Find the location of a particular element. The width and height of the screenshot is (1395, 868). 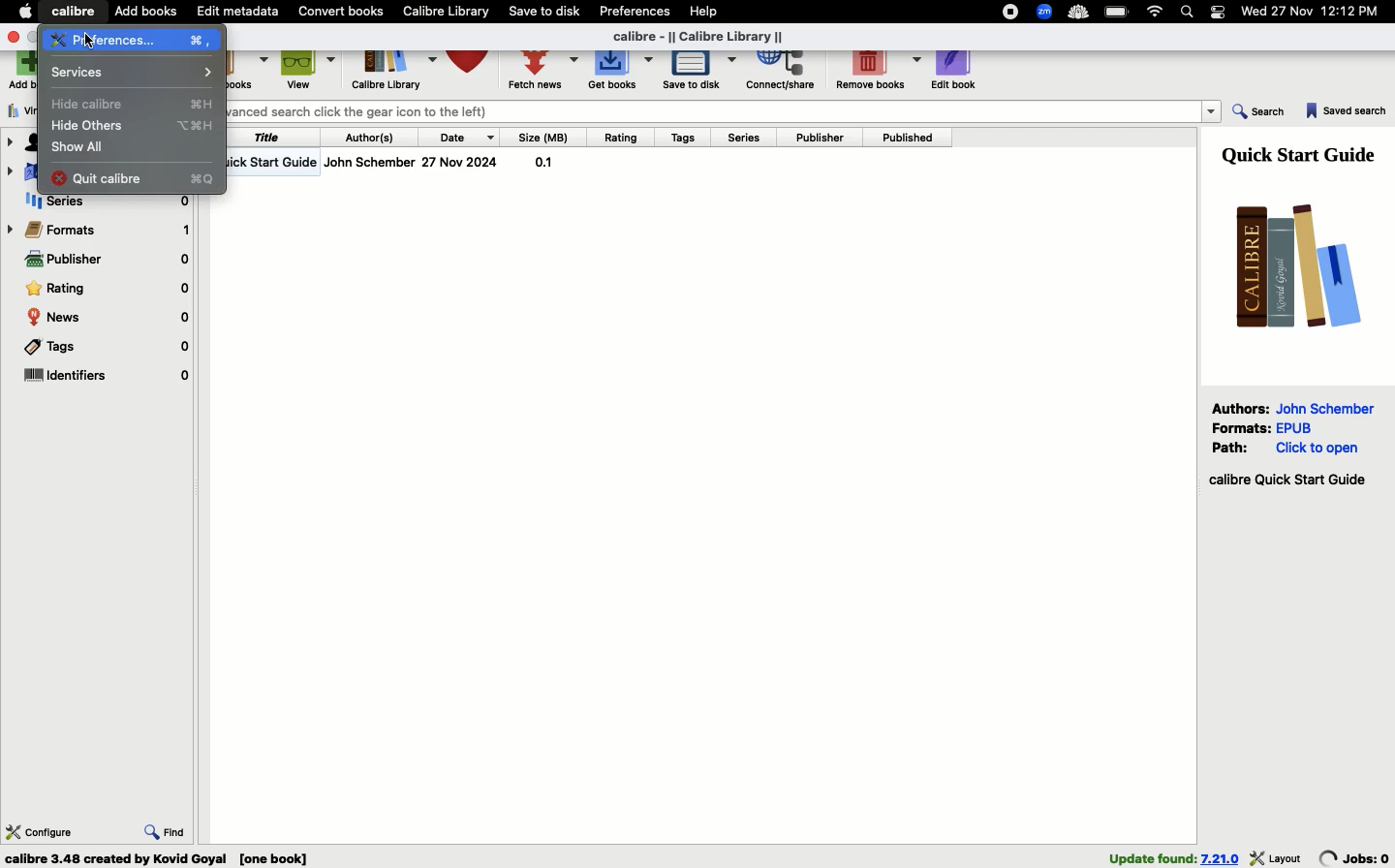

Publisher is located at coordinates (107, 262).